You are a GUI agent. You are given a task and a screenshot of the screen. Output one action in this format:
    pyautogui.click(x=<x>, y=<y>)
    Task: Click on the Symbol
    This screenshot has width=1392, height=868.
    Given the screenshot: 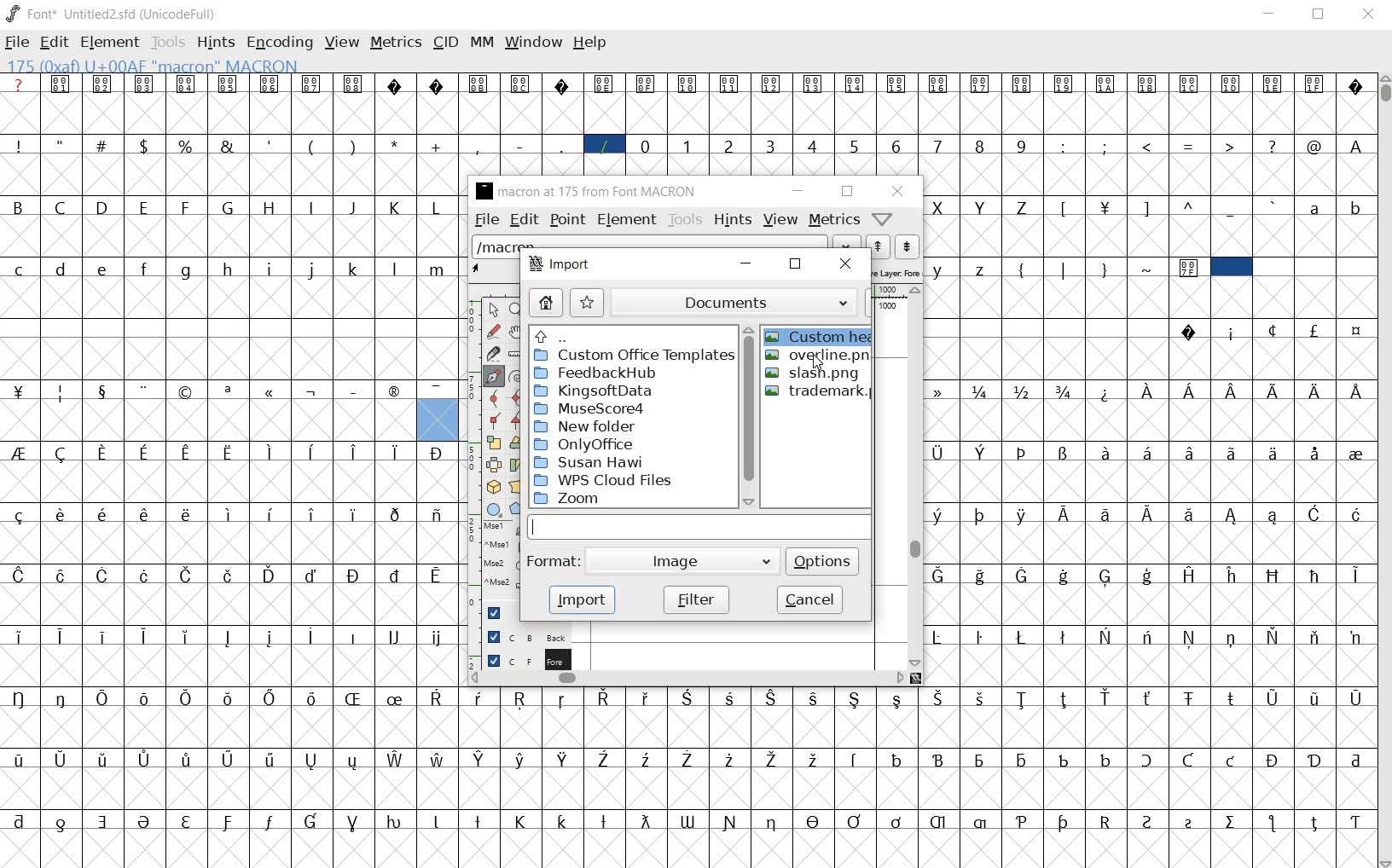 What is the action you would take?
    pyautogui.click(x=1107, y=697)
    